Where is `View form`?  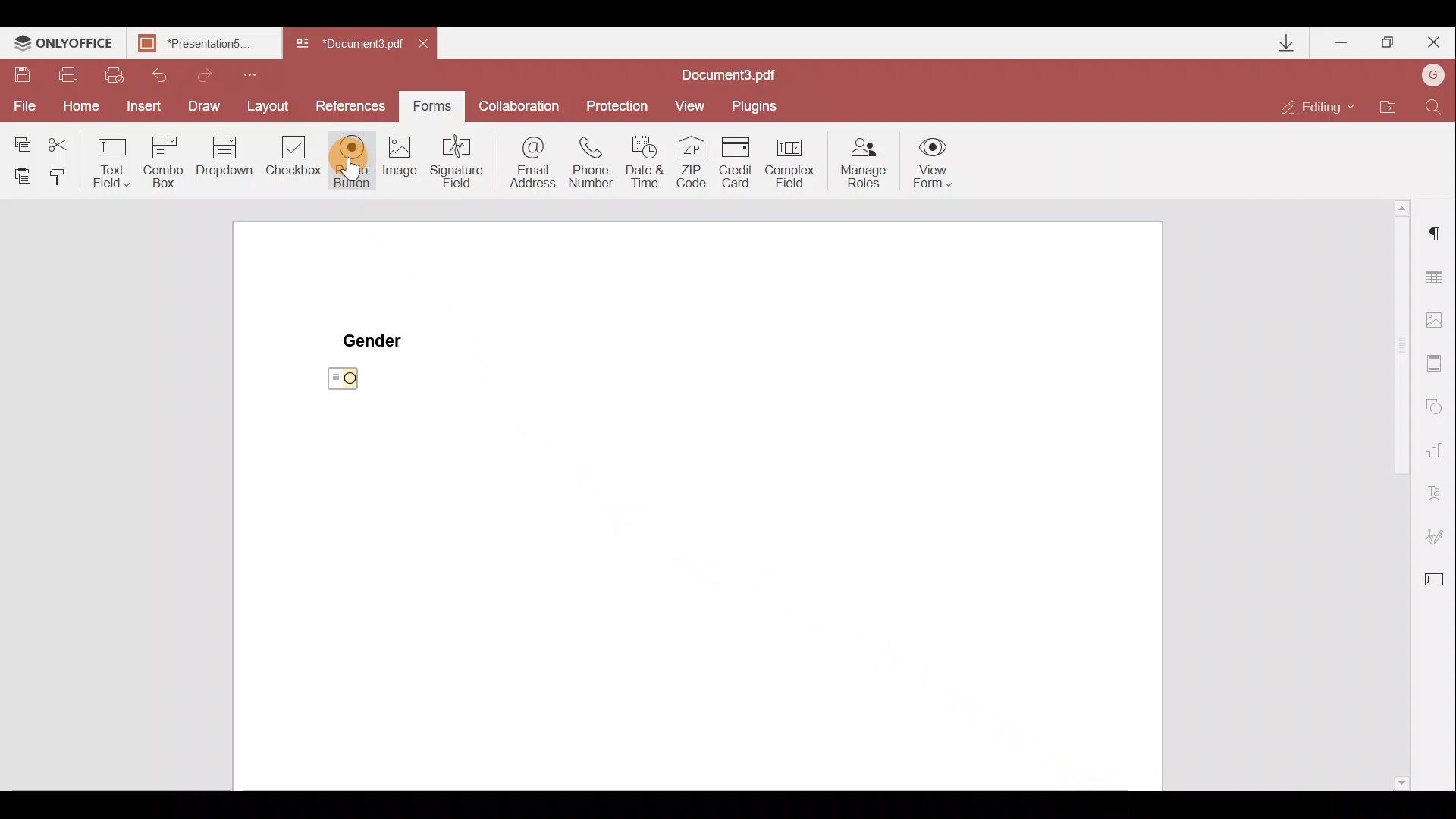
View form is located at coordinates (934, 162).